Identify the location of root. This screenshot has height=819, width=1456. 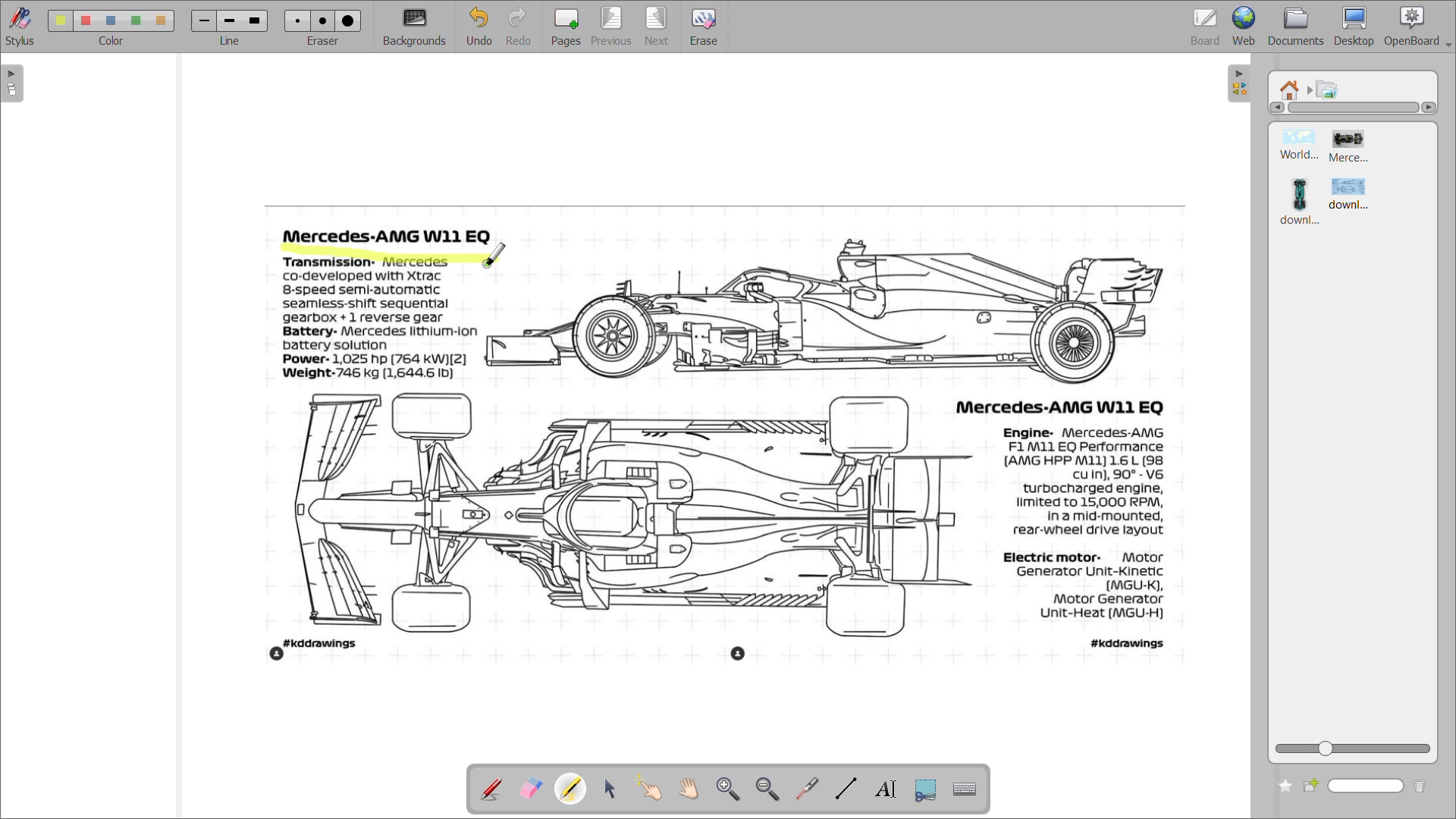
(1290, 91).